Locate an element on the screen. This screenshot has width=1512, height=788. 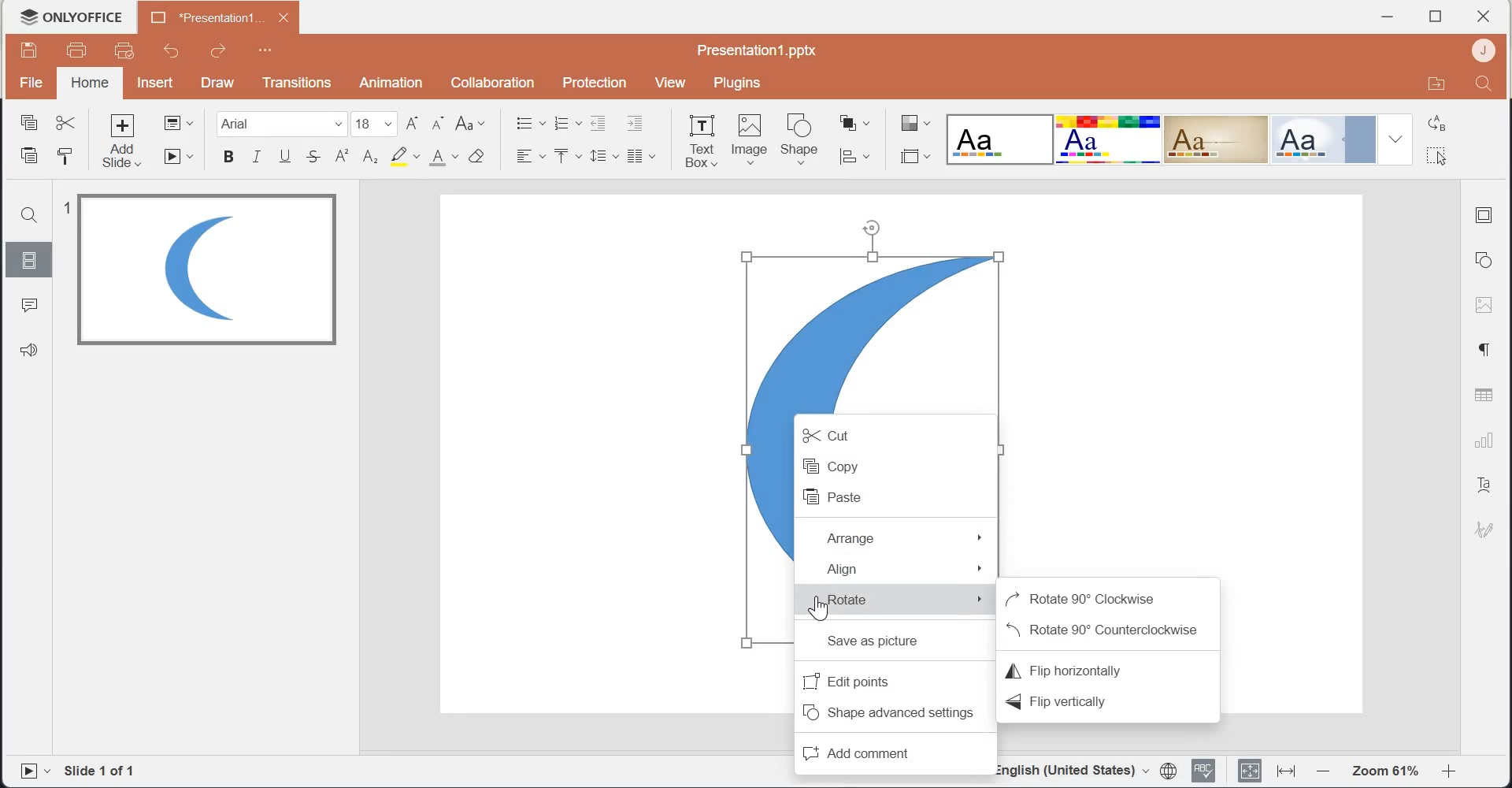
Font color is located at coordinates (444, 156).